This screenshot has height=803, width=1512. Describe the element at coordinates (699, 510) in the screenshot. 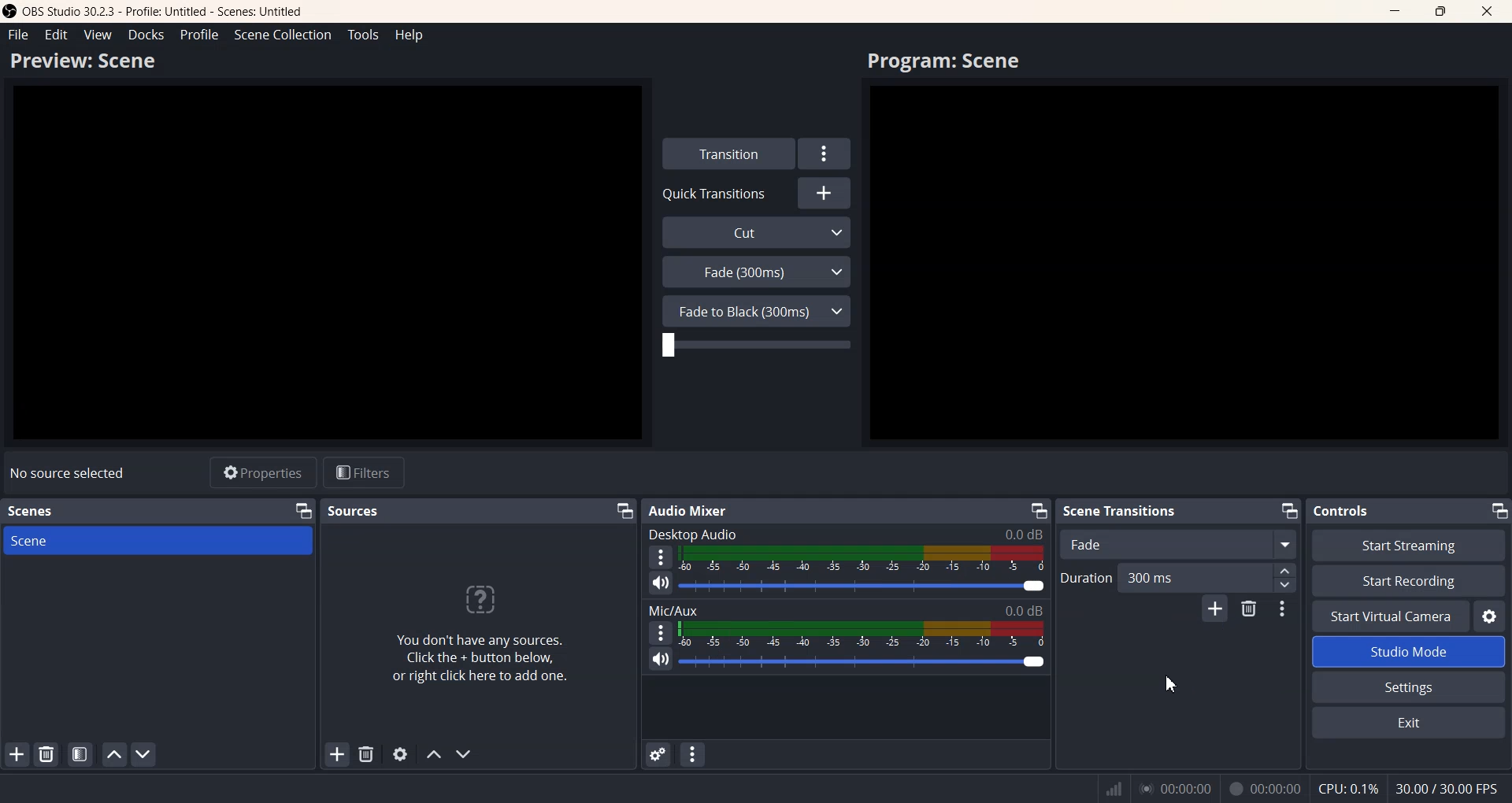

I see `Audio Mixer` at that location.